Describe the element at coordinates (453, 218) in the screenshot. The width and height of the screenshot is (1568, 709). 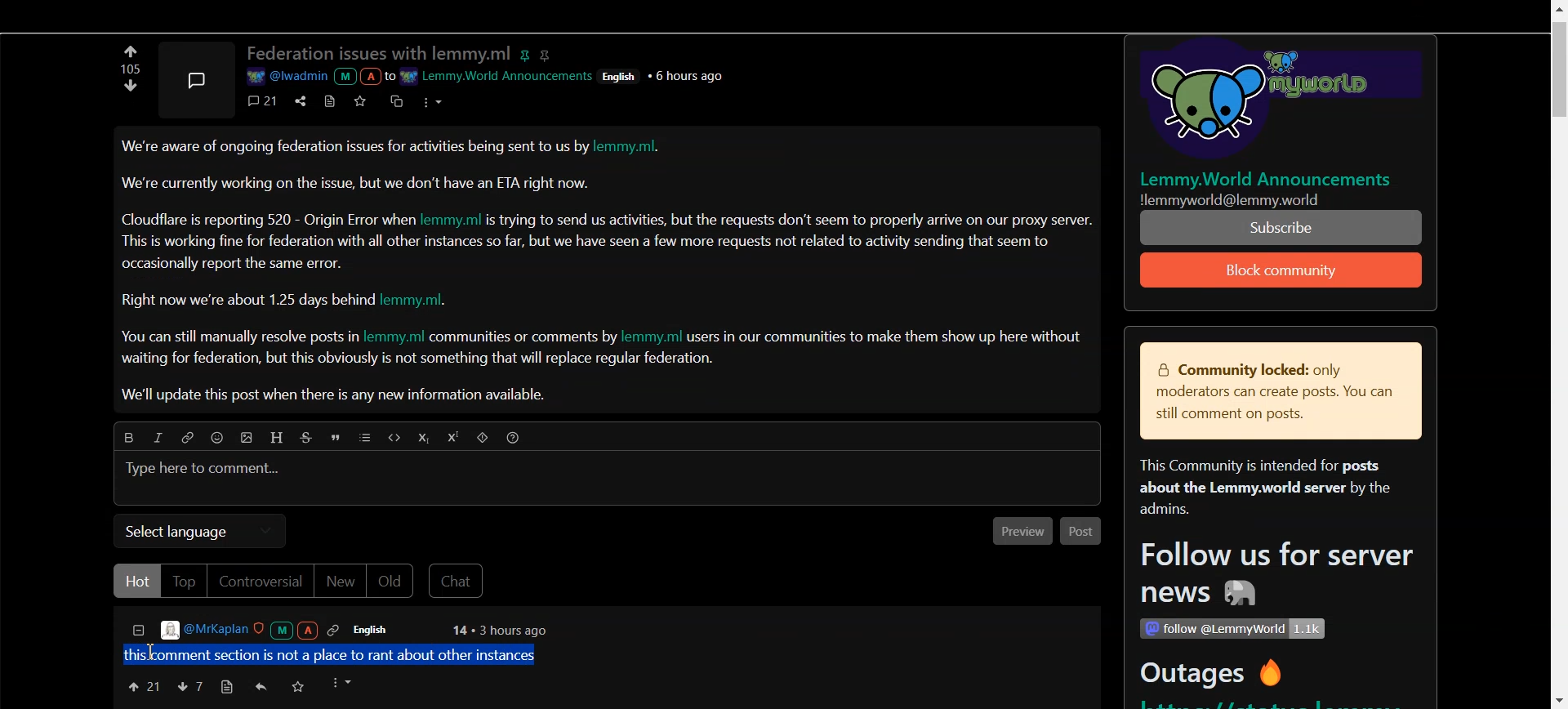
I see `lemmy.ml` at that location.